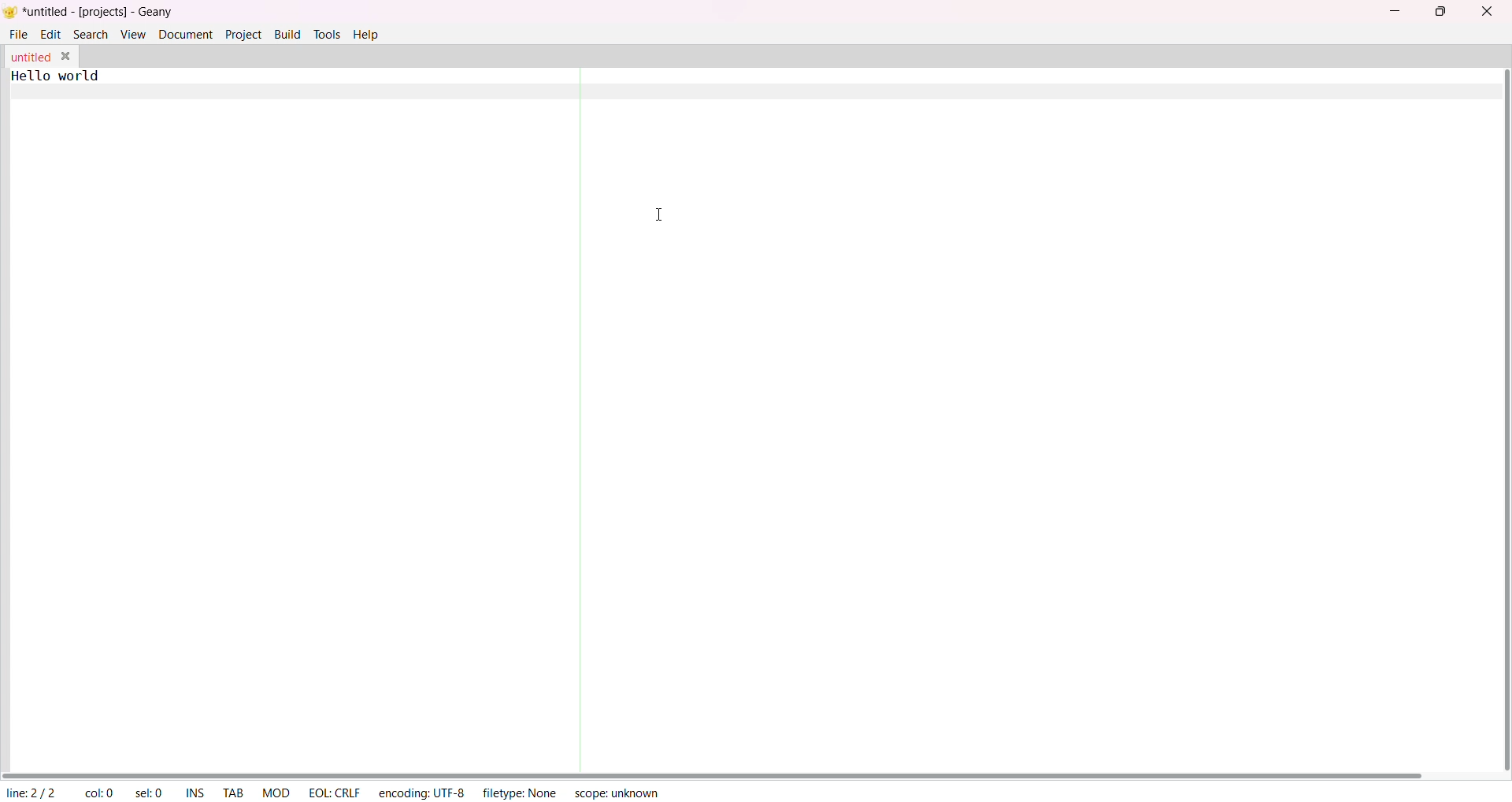 Image resolution: width=1512 pixels, height=802 pixels. I want to click on tools, so click(328, 33).